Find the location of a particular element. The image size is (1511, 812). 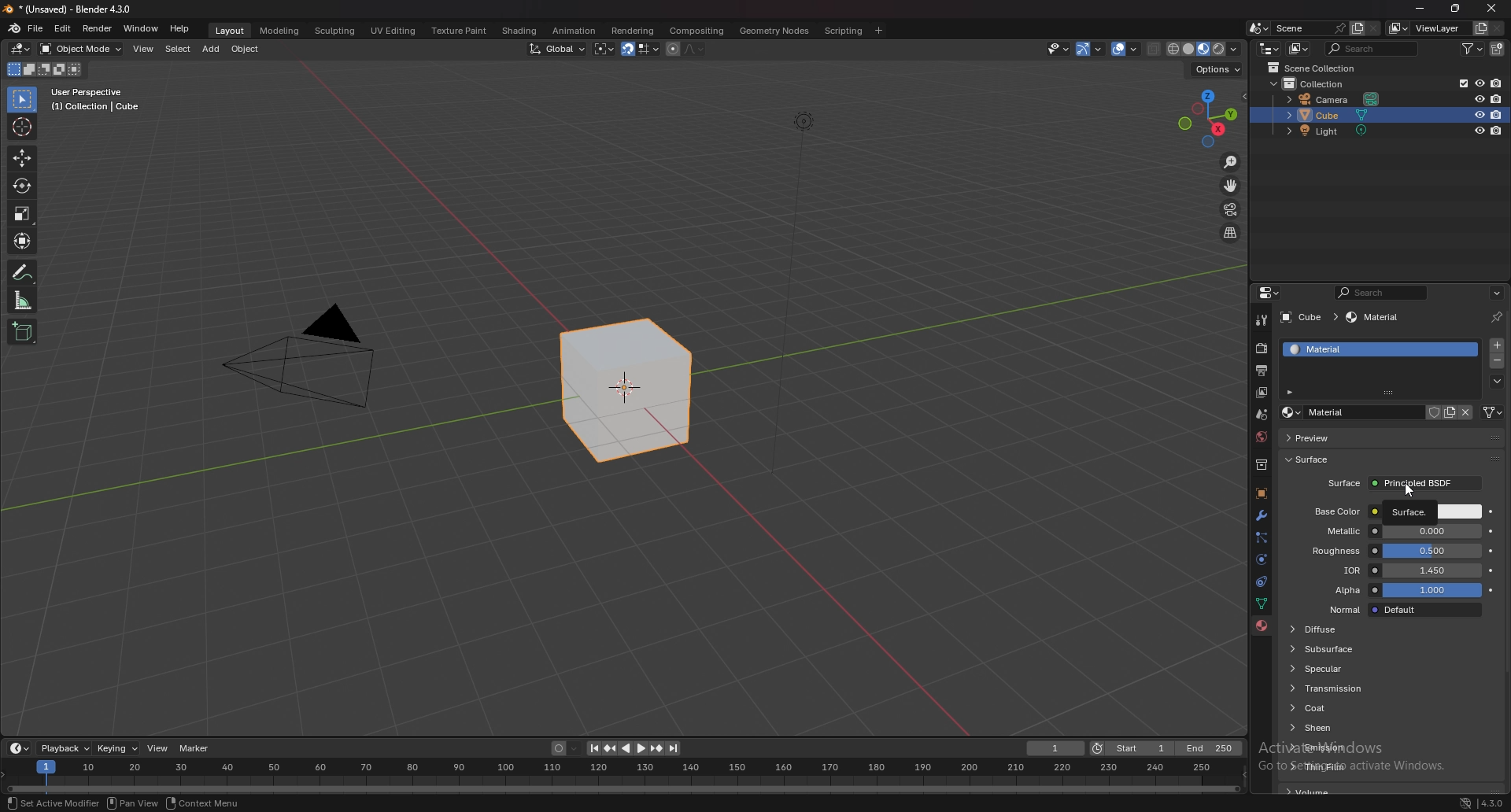

window is located at coordinates (141, 28).